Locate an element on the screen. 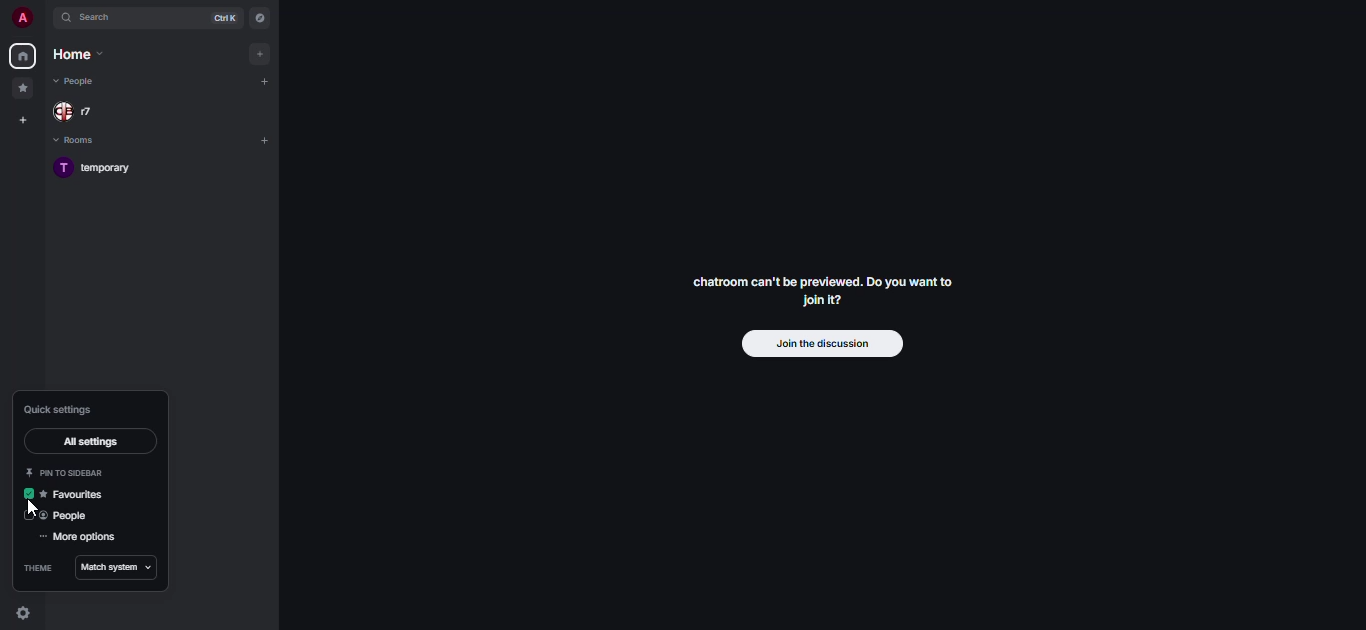 Image resolution: width=1366 pixels, height=630 pixels. add is located at coordinates (259, 53).